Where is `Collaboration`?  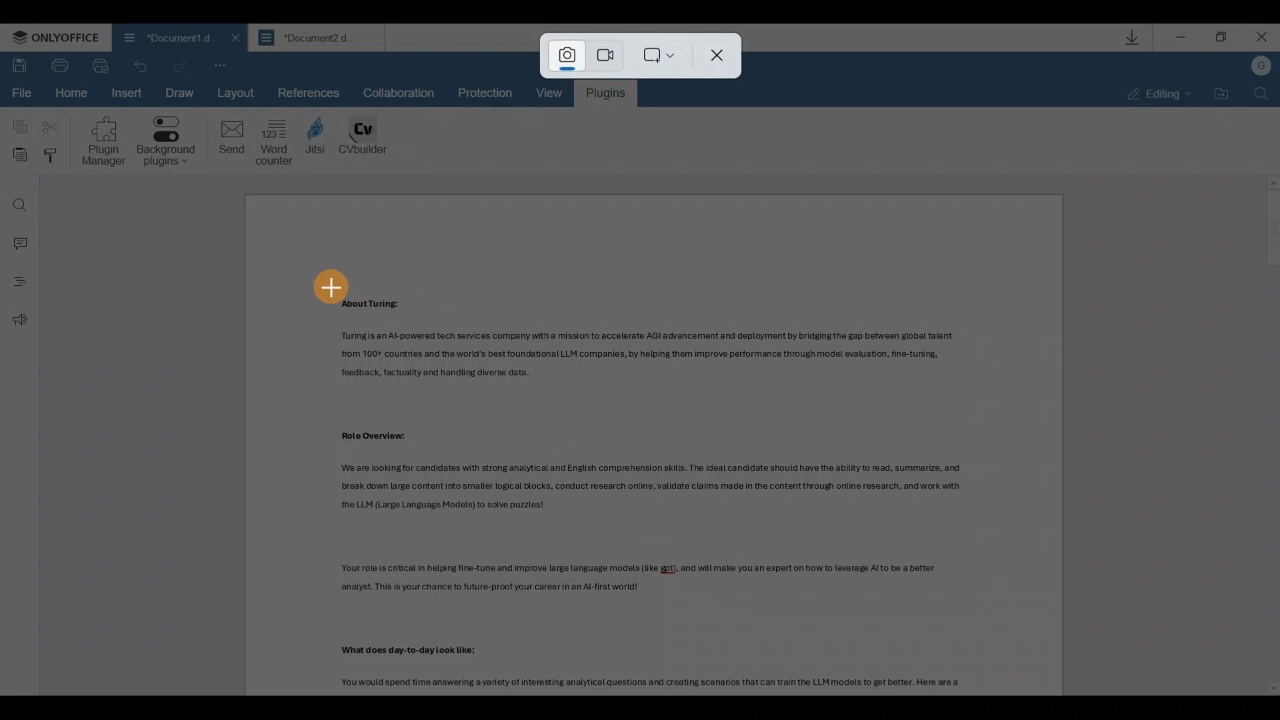
Collaboration is located at coordinates (396, 91).